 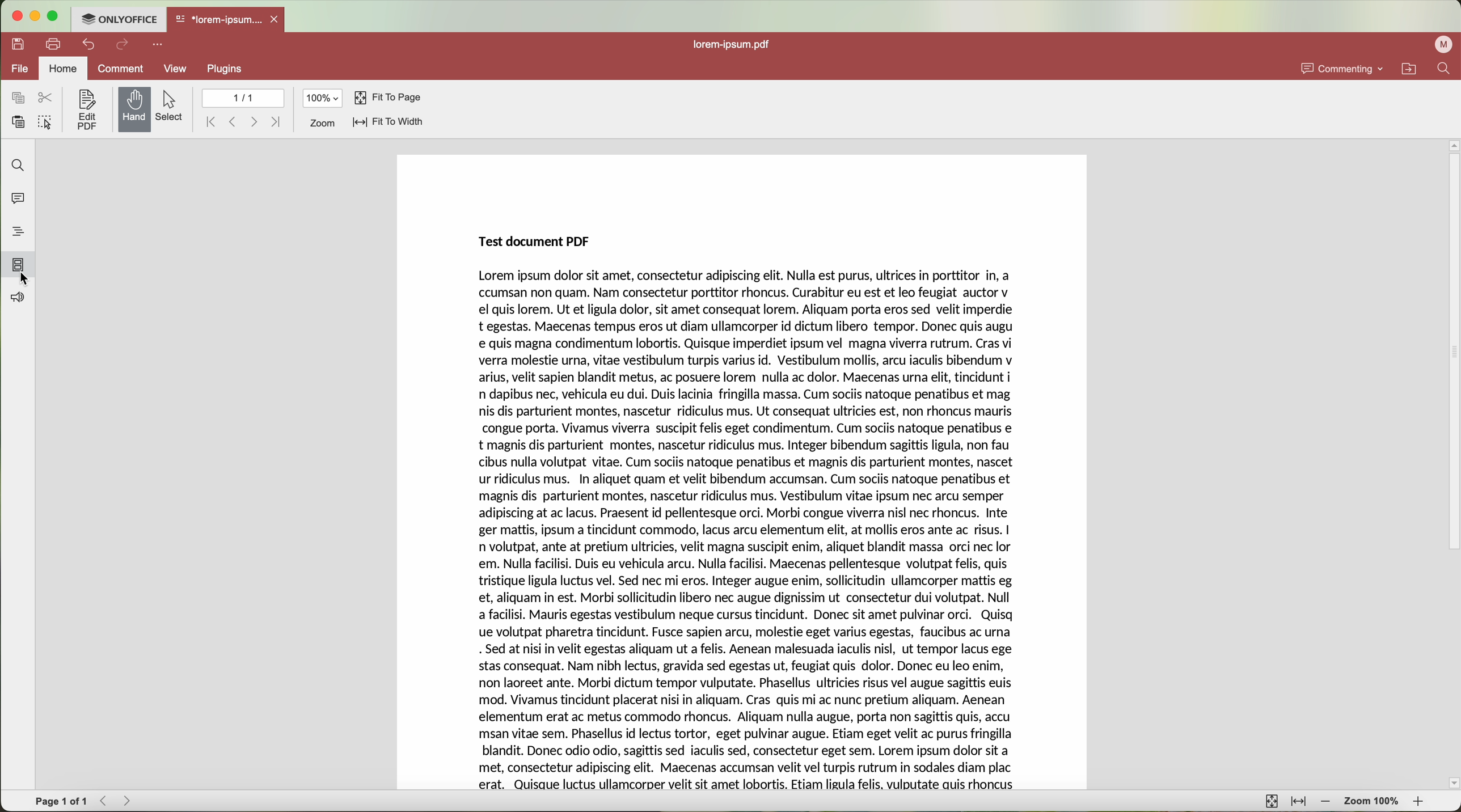 I want to click on ONLYOFFICE, so click(x=119, y=19).